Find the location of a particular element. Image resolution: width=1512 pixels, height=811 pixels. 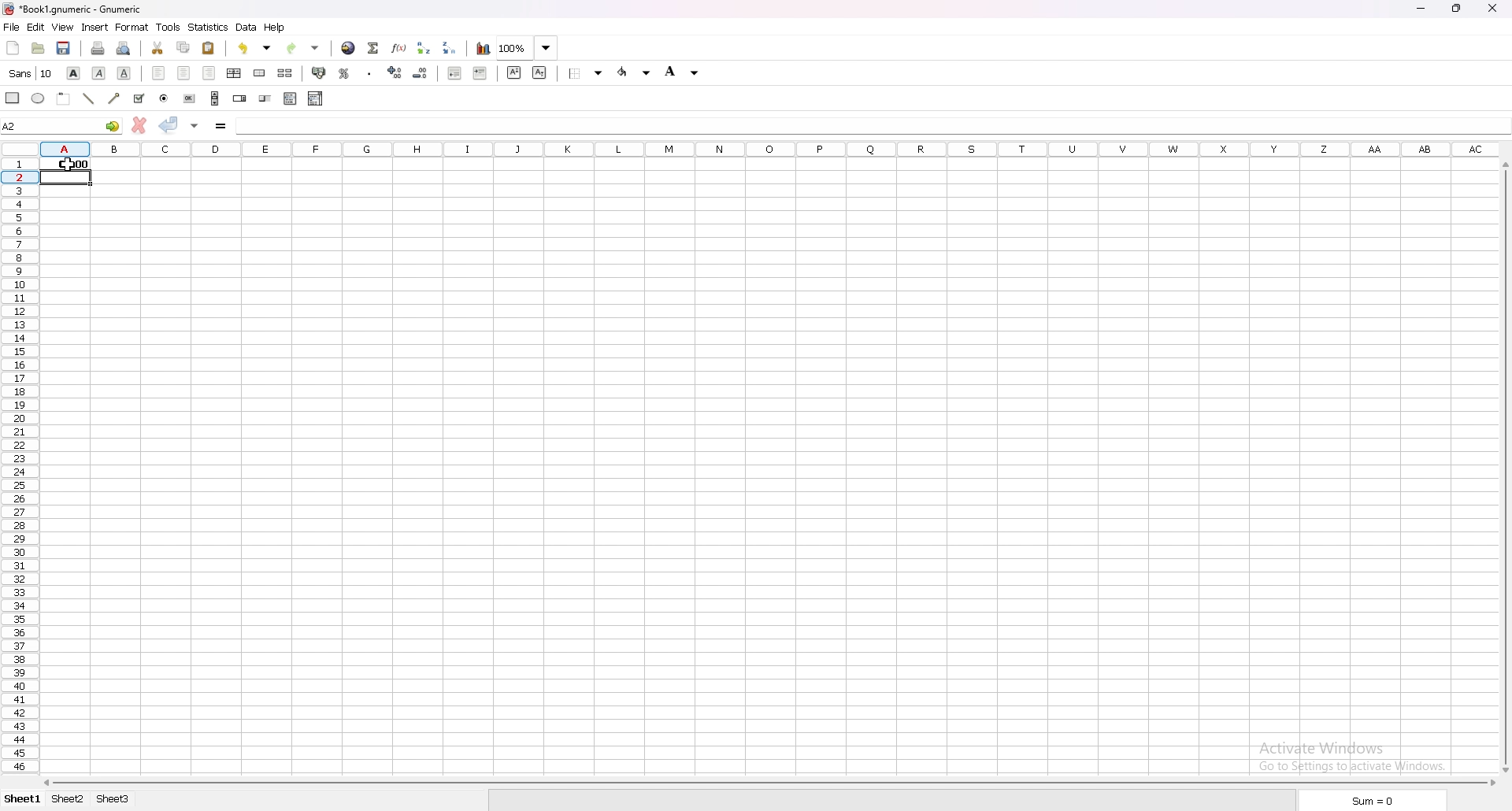

print is located at coordinates (98, 48).